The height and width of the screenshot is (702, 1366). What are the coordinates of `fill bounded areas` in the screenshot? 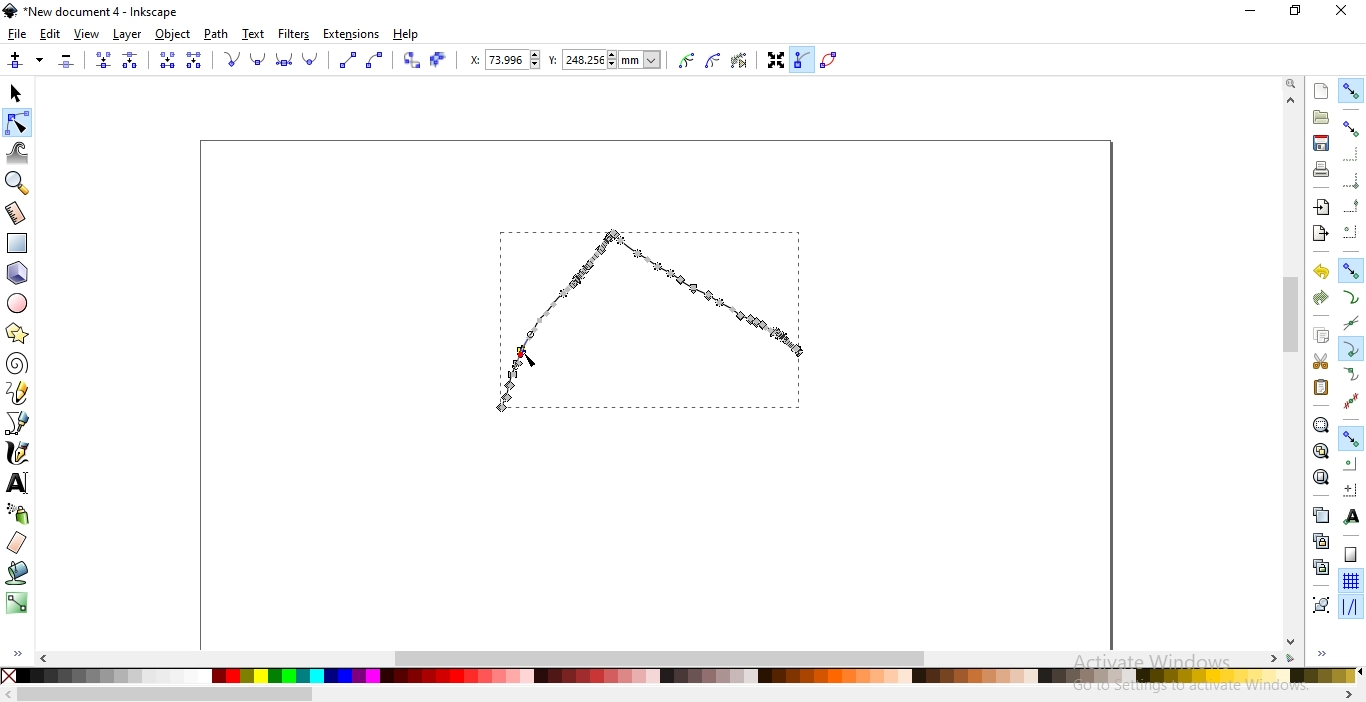 It's located at (18, 573).